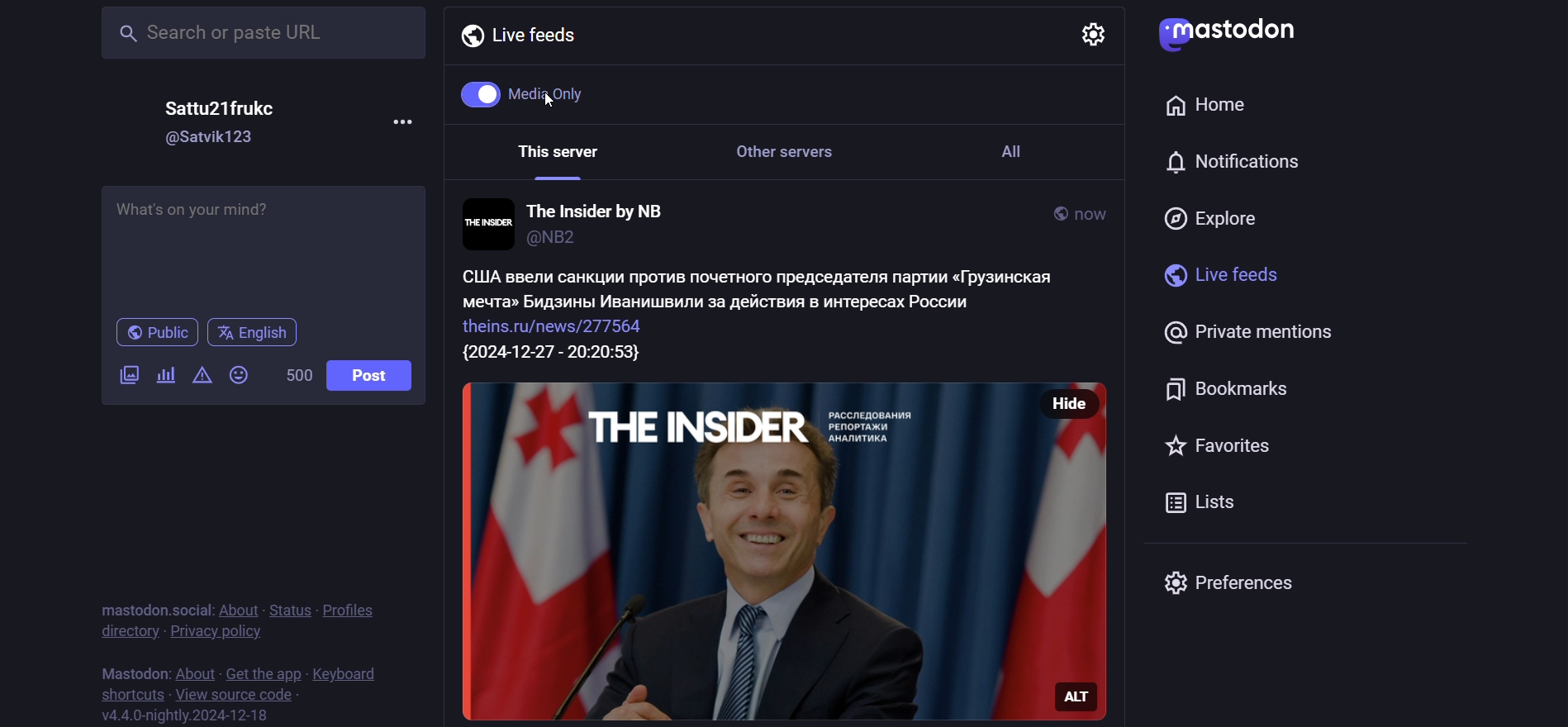 This screenshot has width=1568, height=727. What do you see at coordinates (1213, 273) in the screenshot?
I see `live feed` at bounding box center [1213, 273].